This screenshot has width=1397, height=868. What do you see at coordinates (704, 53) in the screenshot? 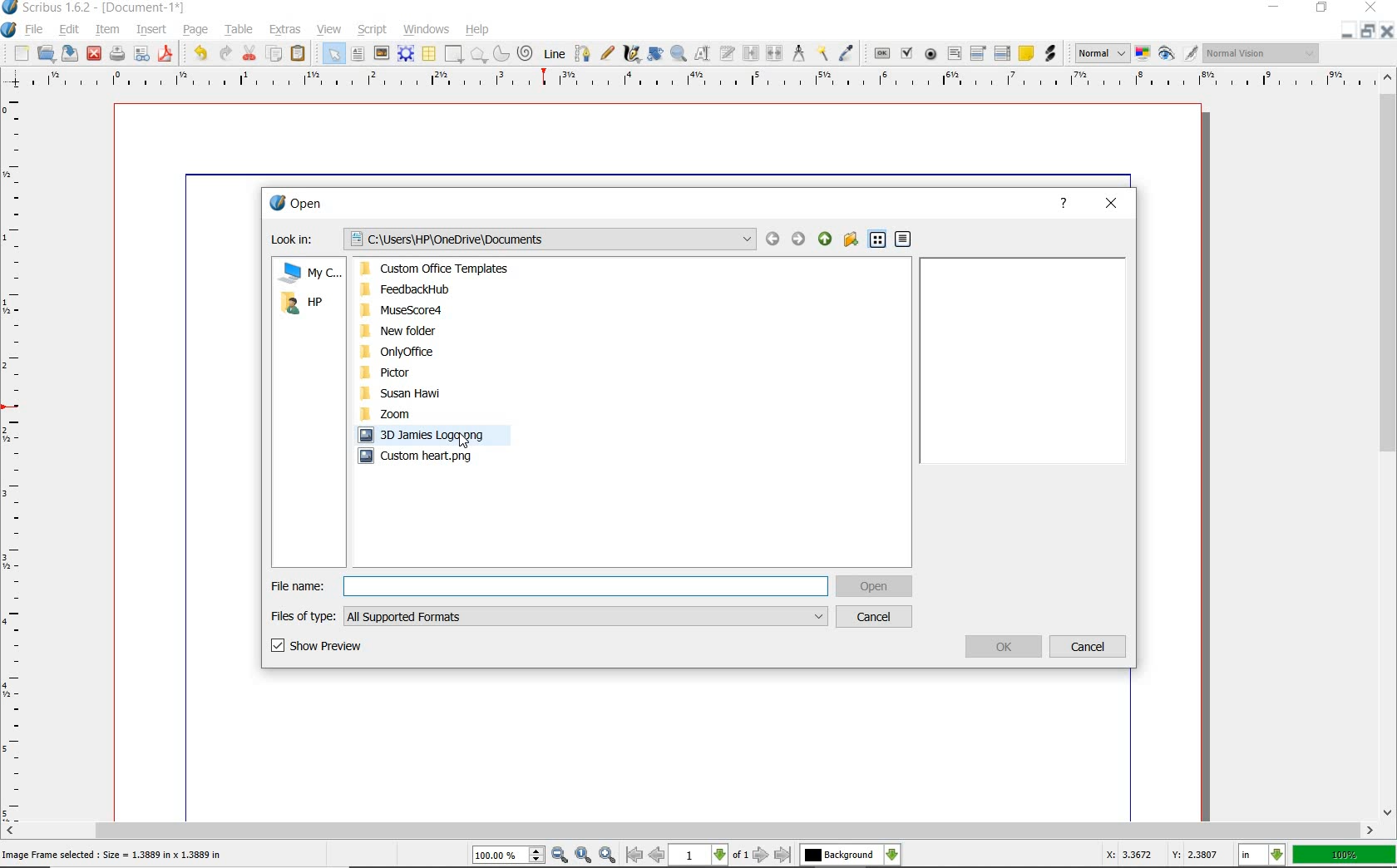
I see `edit contents of frame` at bounding box center [704, 53].